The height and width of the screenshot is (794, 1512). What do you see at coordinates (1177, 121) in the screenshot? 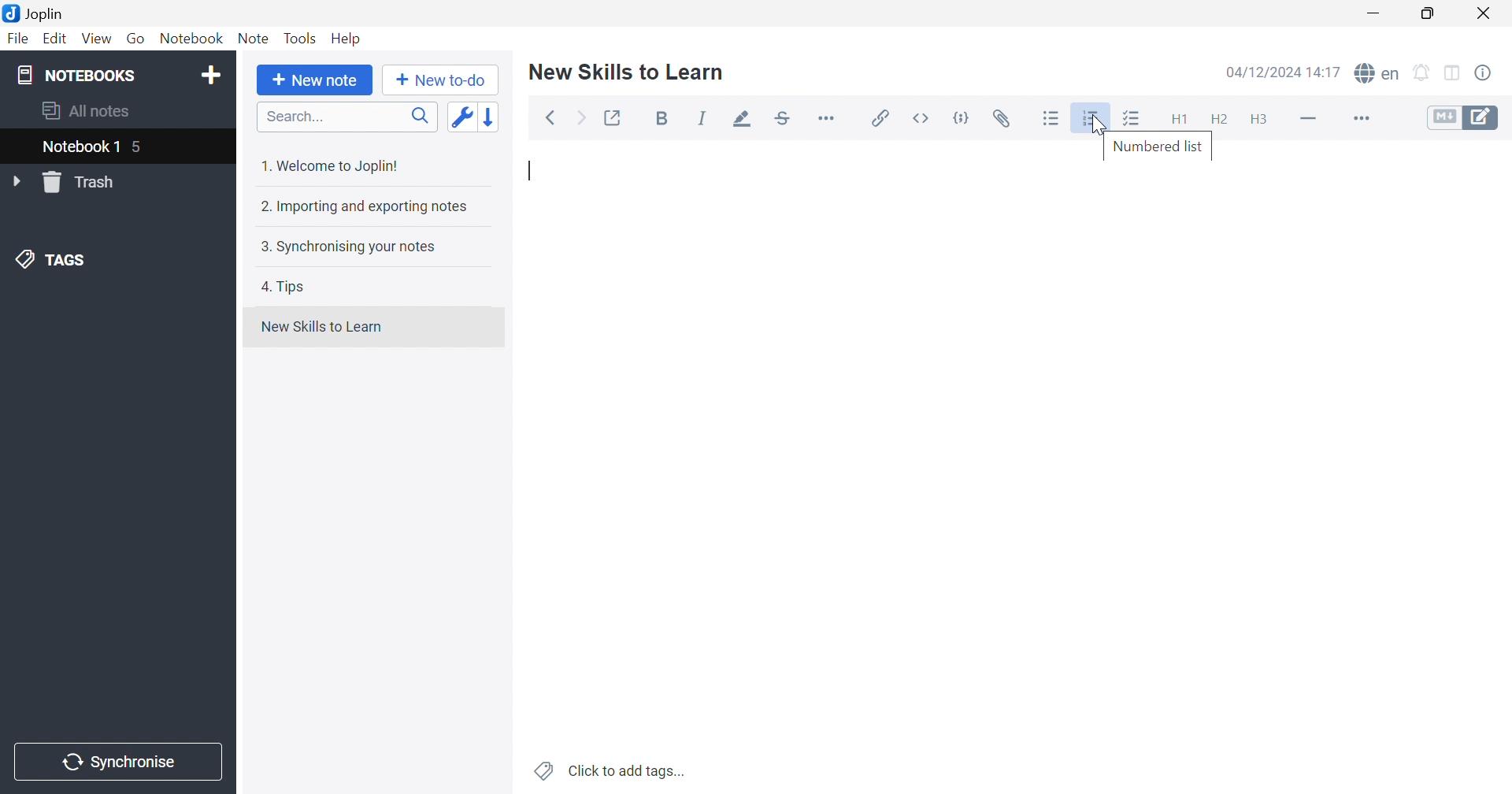
I see `Heading 1` at bounding box center [1177, 121].